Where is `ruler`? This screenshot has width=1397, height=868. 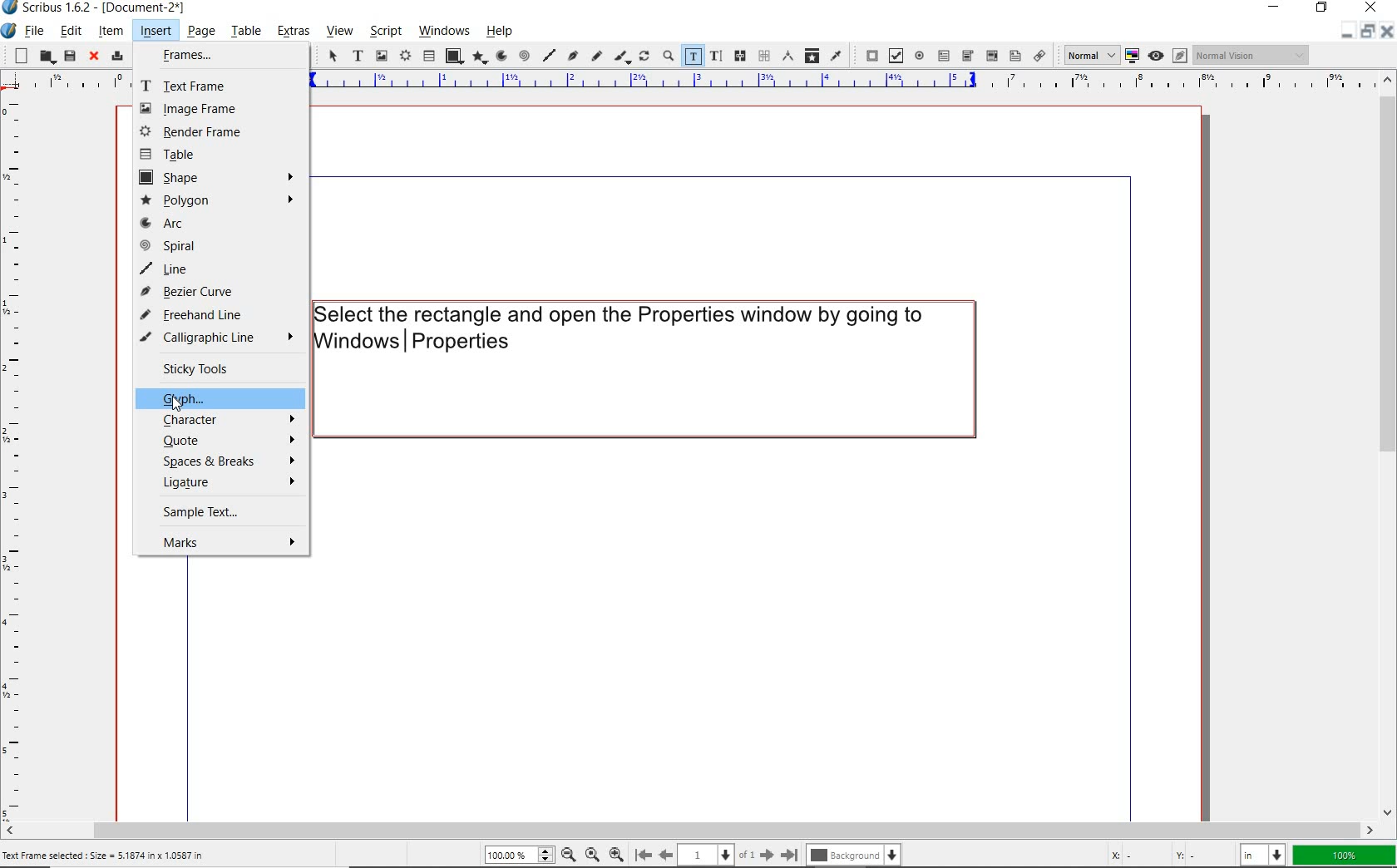
ruler is located at coordinates (836, 84).